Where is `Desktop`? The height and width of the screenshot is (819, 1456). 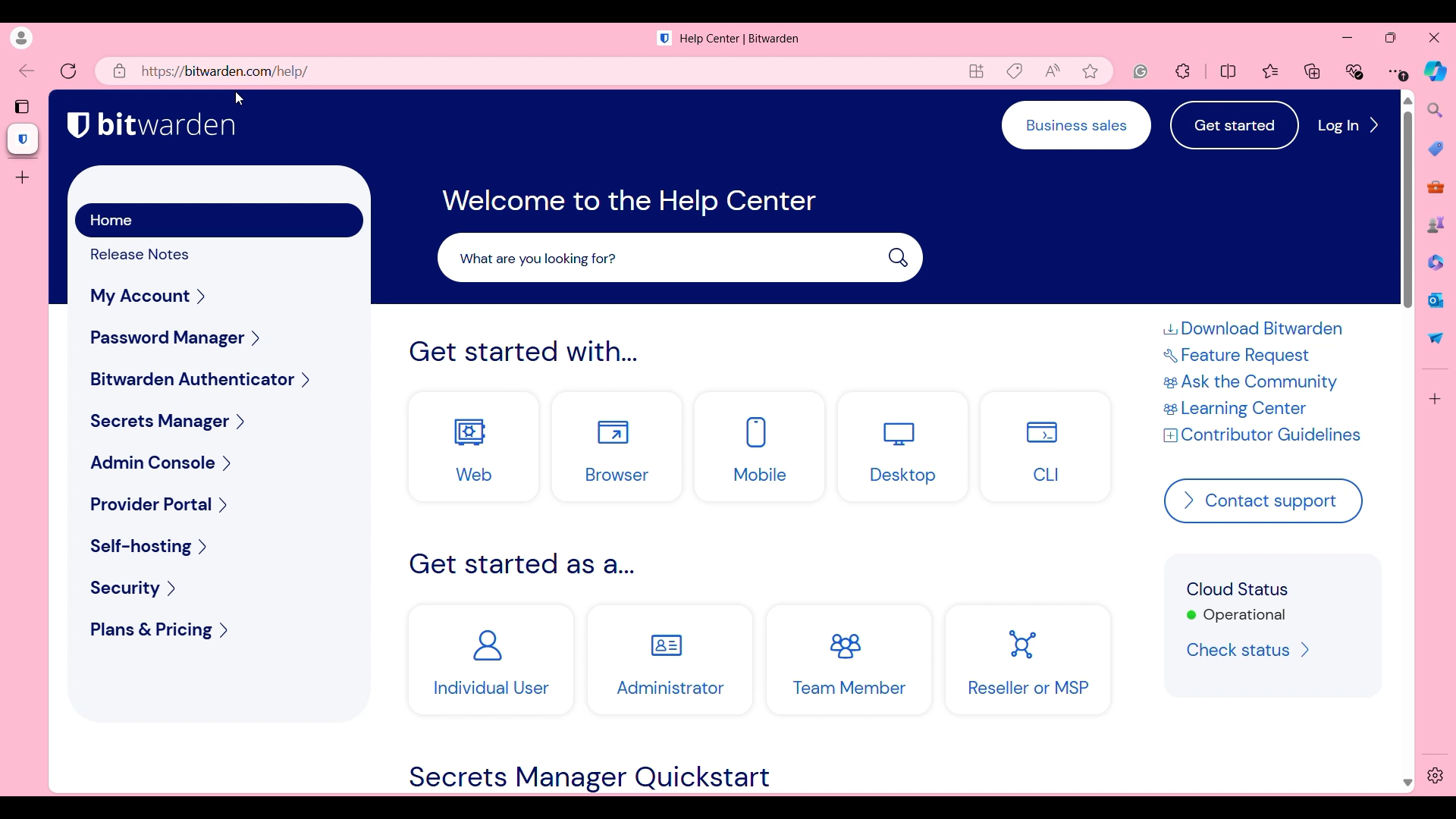
Desktop is located at coordinates (904, 447).